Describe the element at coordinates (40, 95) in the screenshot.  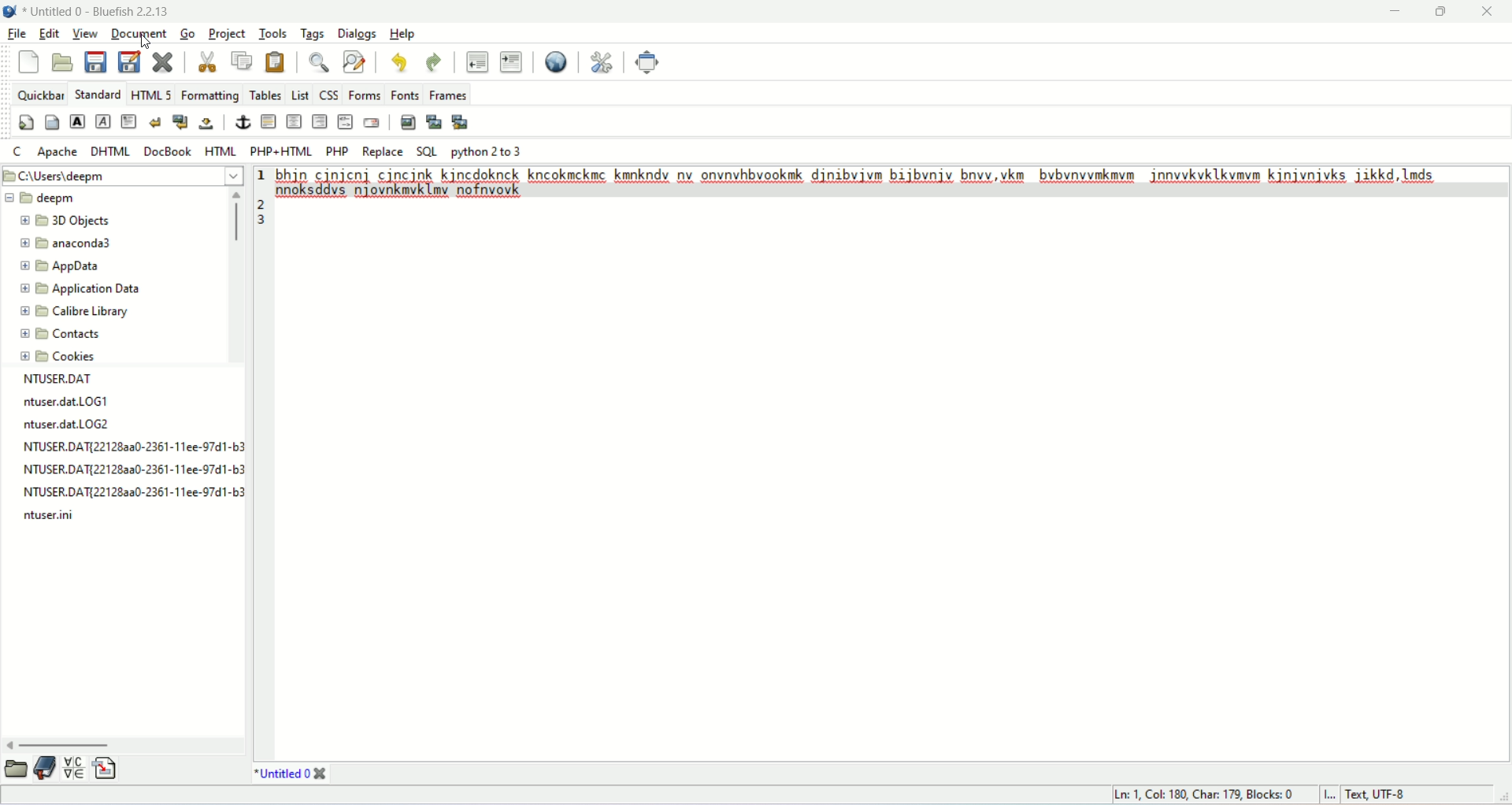
I see `quickbar` at that location.